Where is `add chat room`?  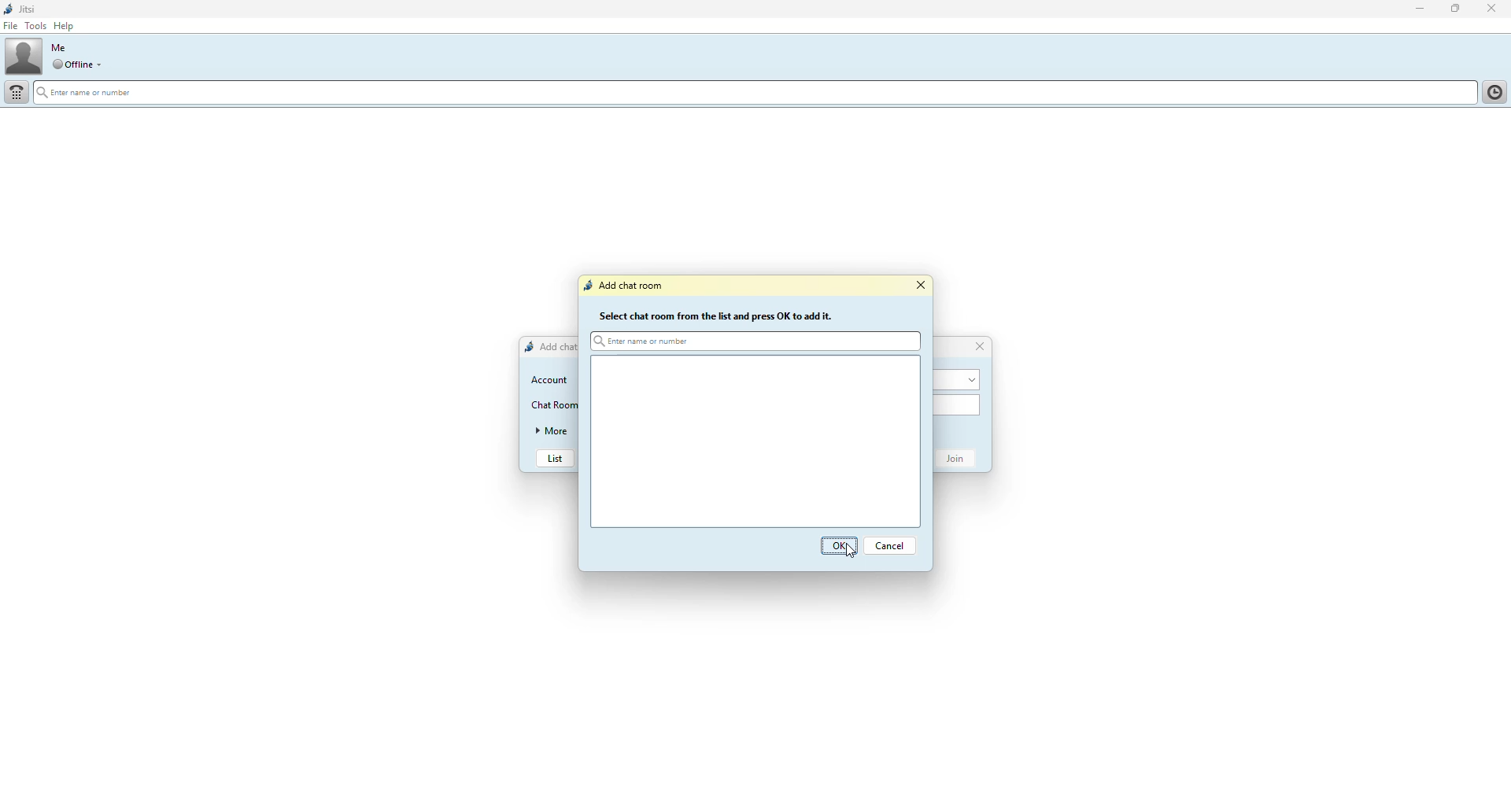 add chat room is located at coordinates (549, 345).